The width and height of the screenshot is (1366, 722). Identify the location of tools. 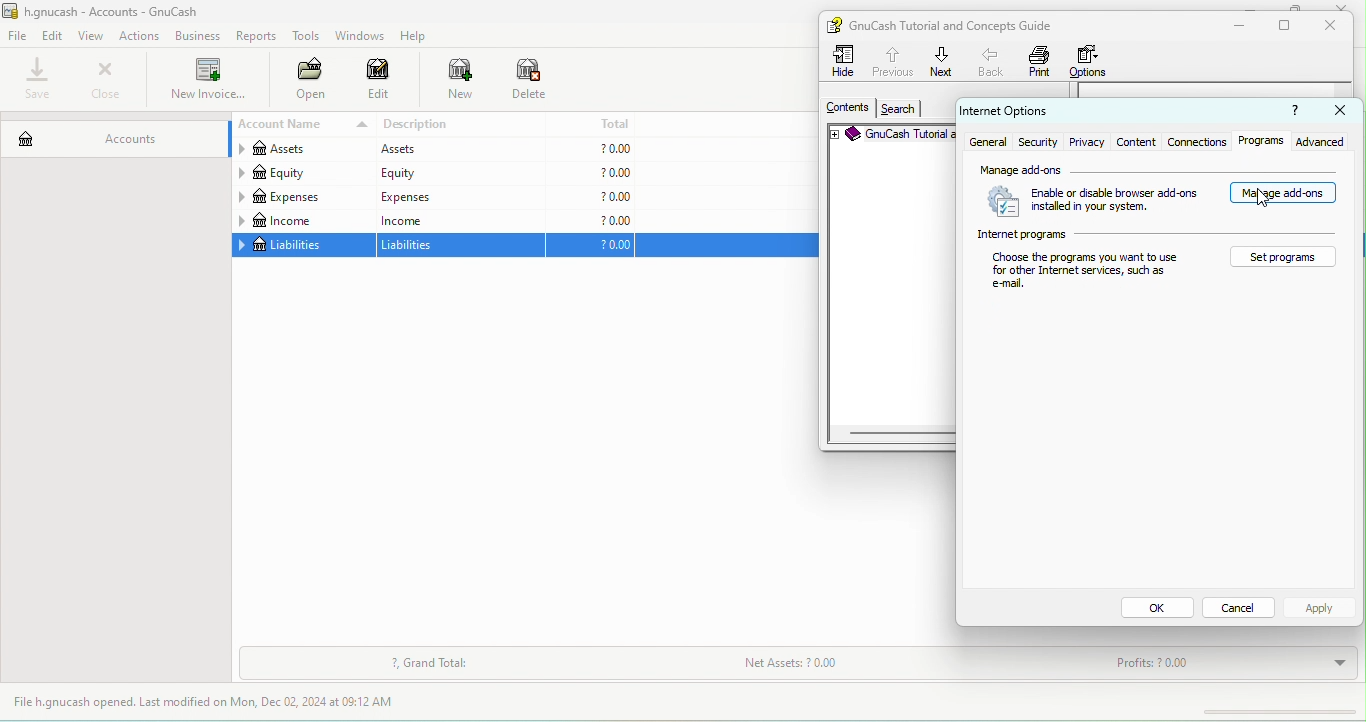
(307, 38).